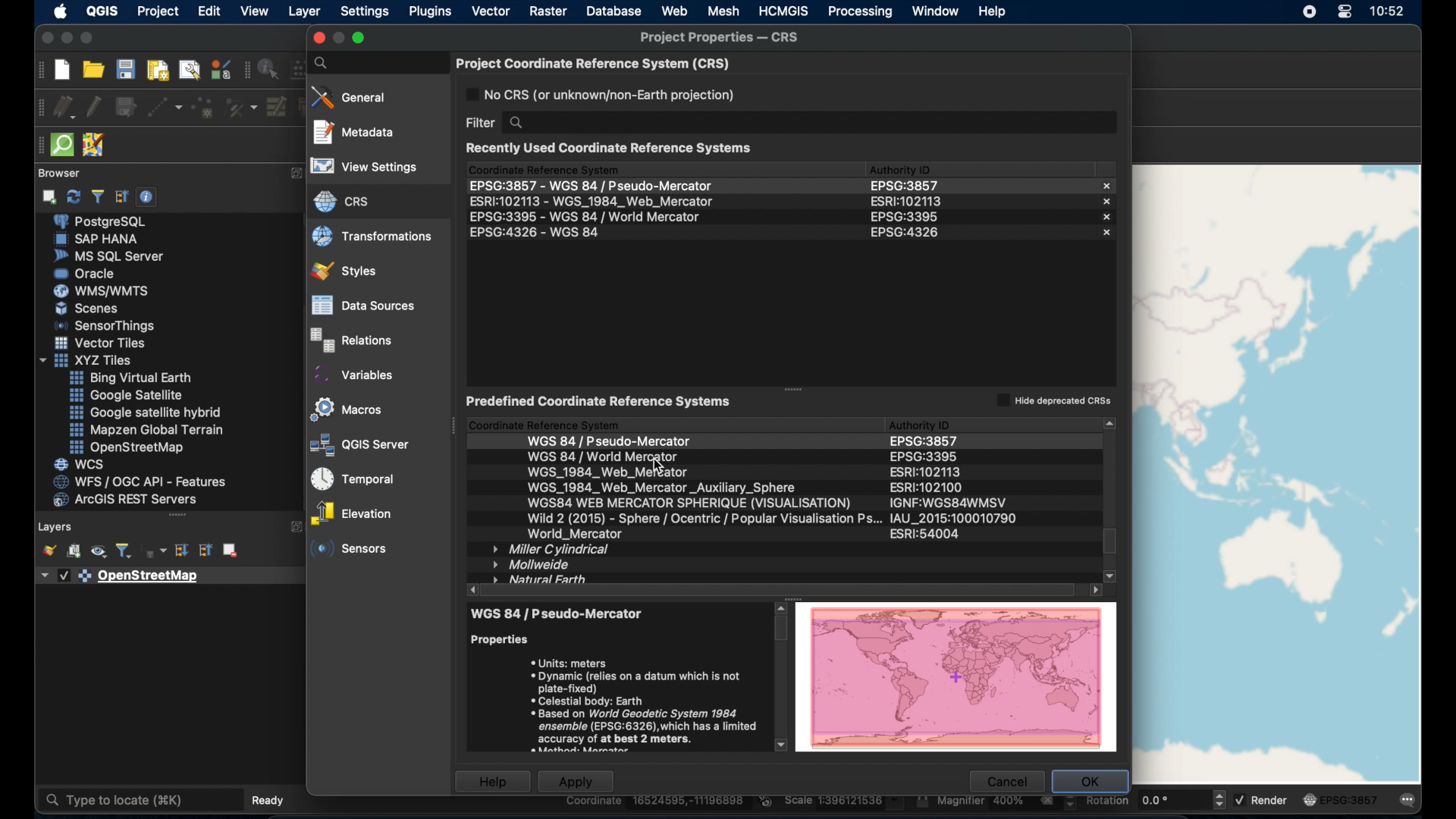 The image size is (1456, 819). I want to click on view, so click(256, 11).